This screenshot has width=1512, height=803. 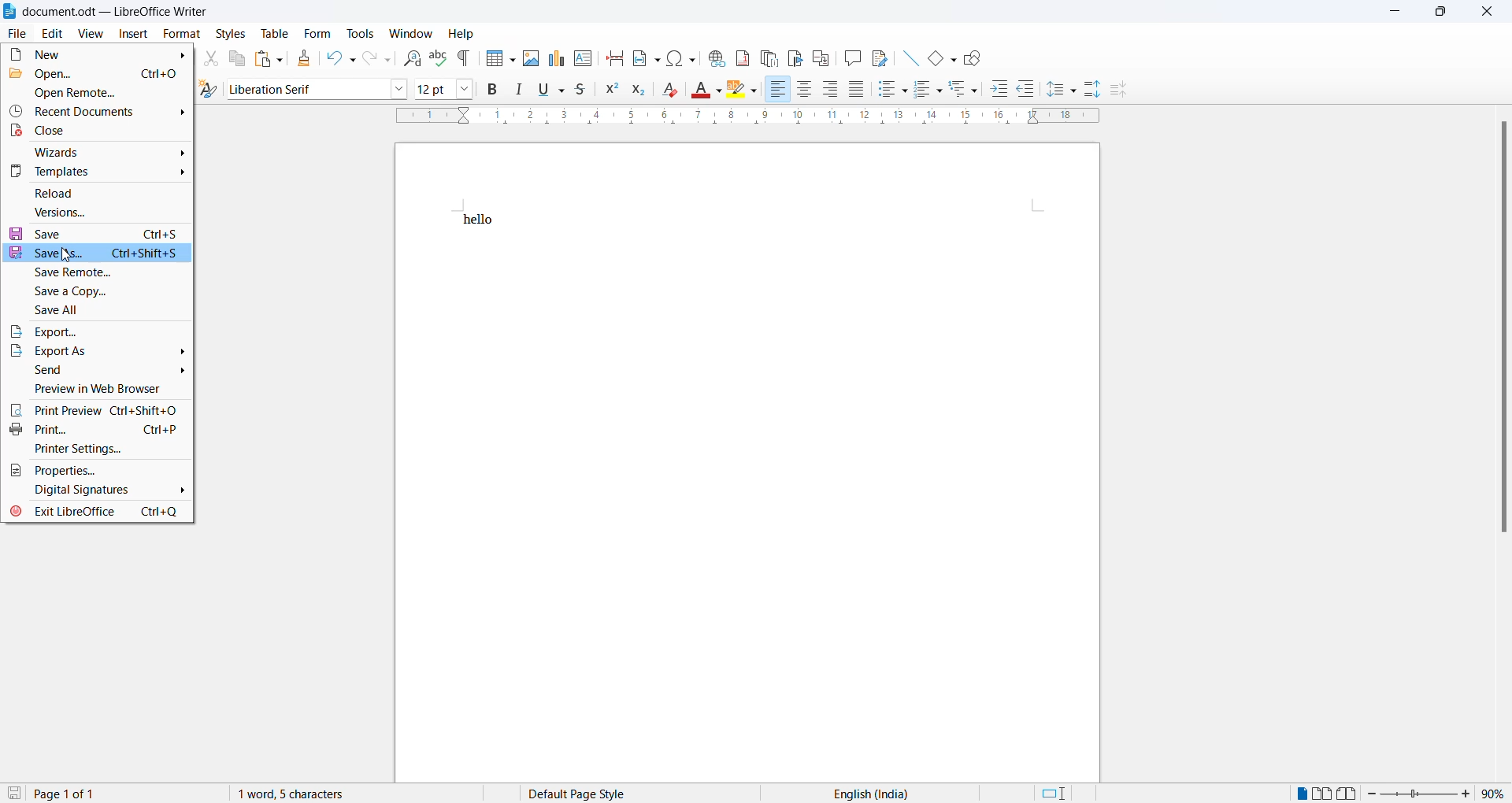 What do you see at coordinates (965, 90) in the screenshot?
I see `Outline format` at bounding box center [965, 90].